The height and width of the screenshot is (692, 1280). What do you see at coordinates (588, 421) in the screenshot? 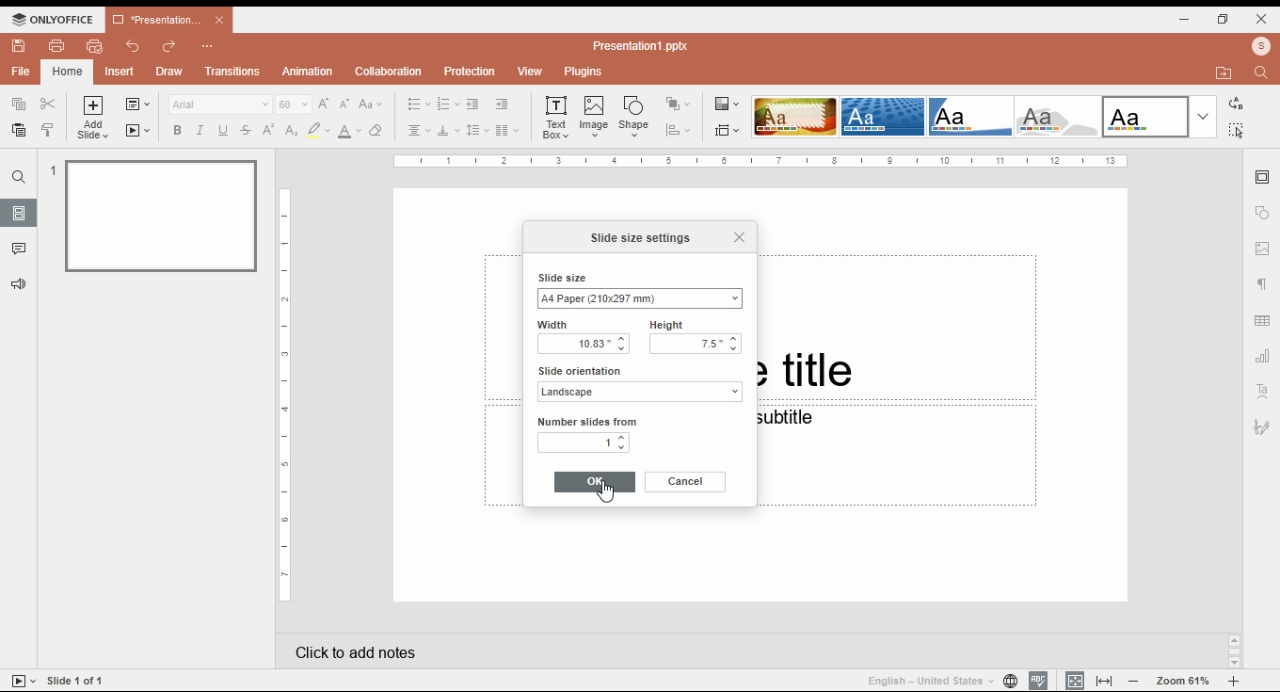
I see `number slide from` at bounding box center [588, 421].